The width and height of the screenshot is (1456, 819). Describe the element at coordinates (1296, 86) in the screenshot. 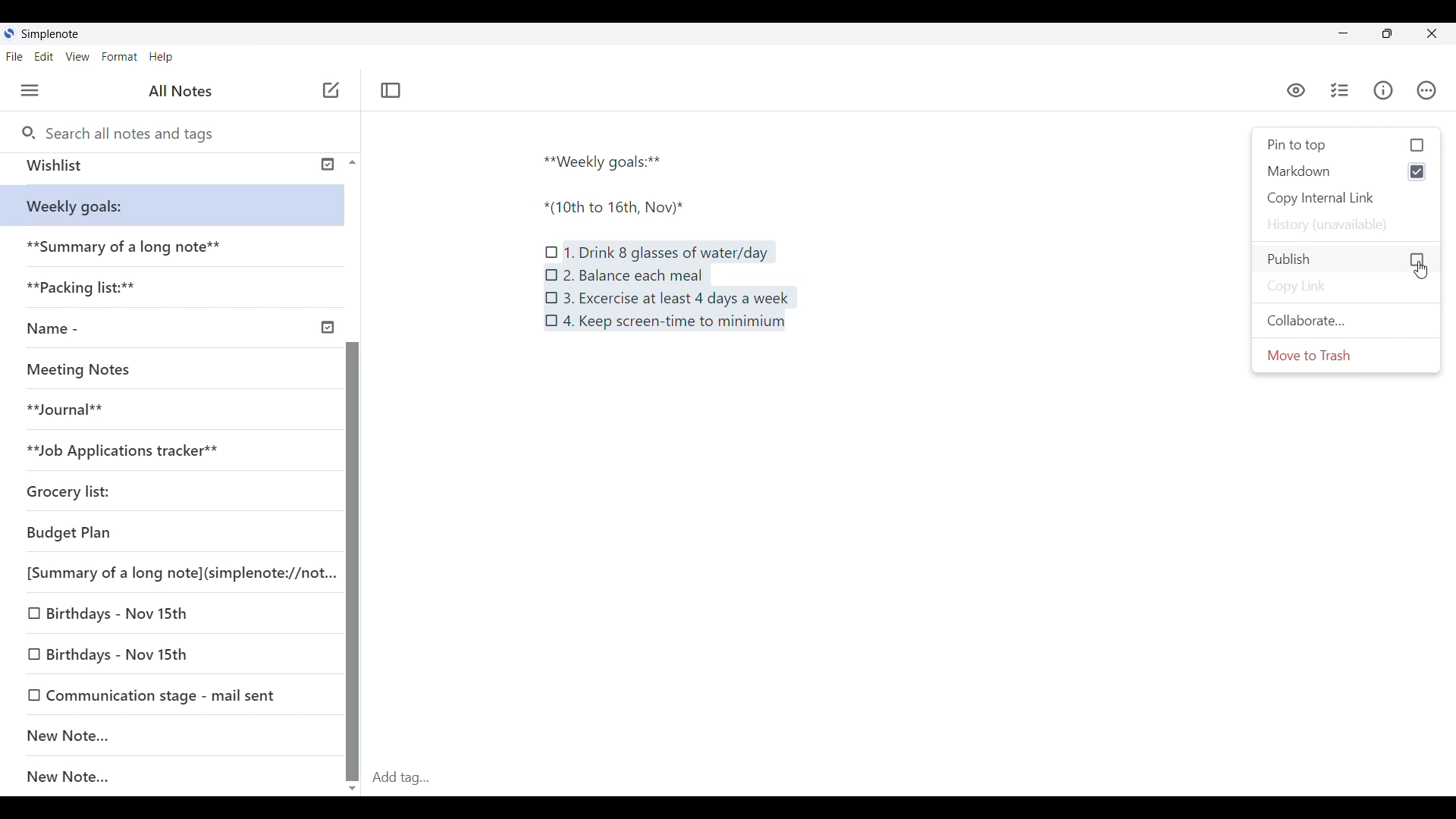

I see `visibility` at that location.